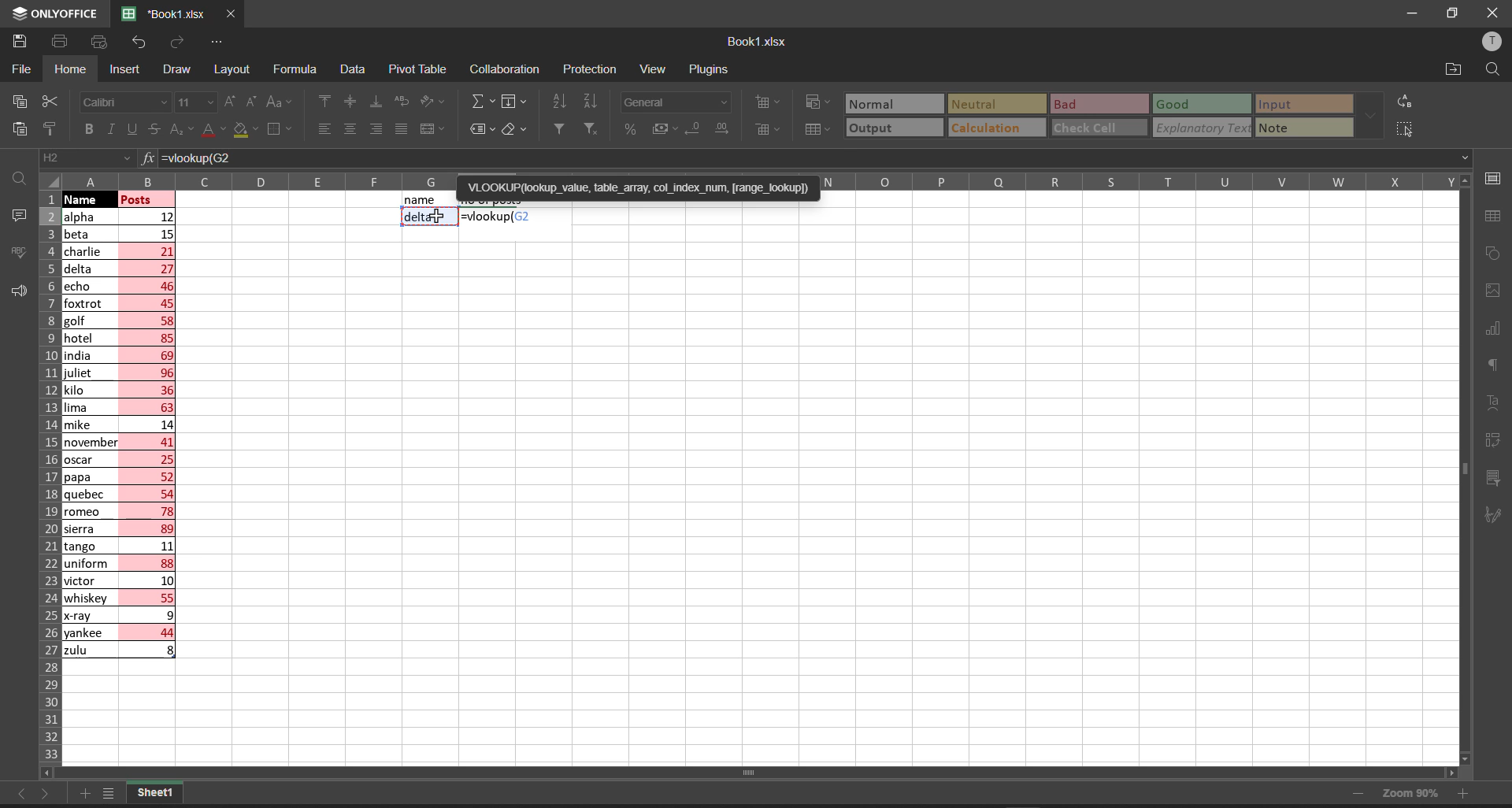  Describe the element at coordinates (753, 773) in the screenshot. I see `horizontal scroll bar` at that location.